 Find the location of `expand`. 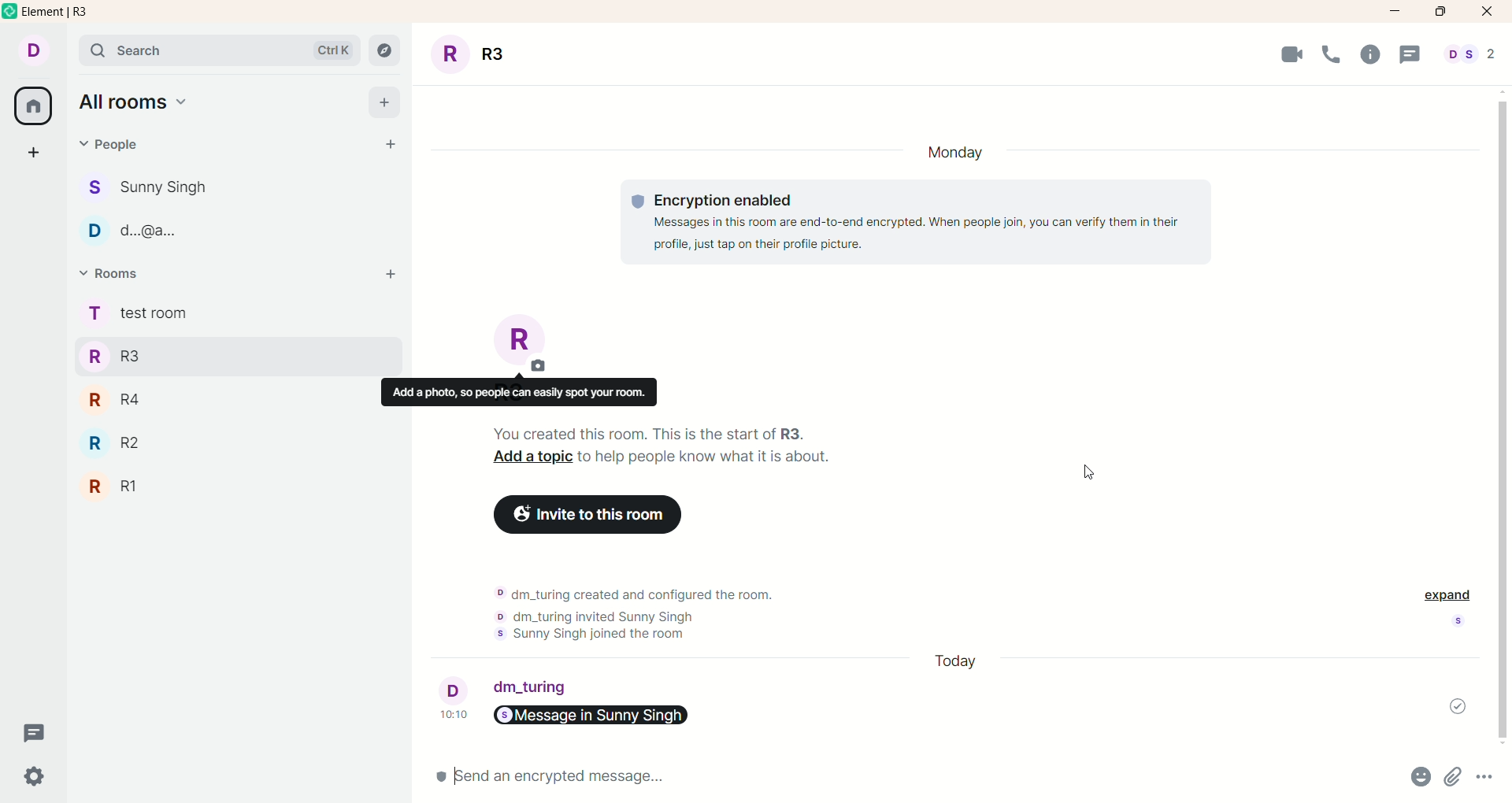

expand is located at coordinates (1448, 595).